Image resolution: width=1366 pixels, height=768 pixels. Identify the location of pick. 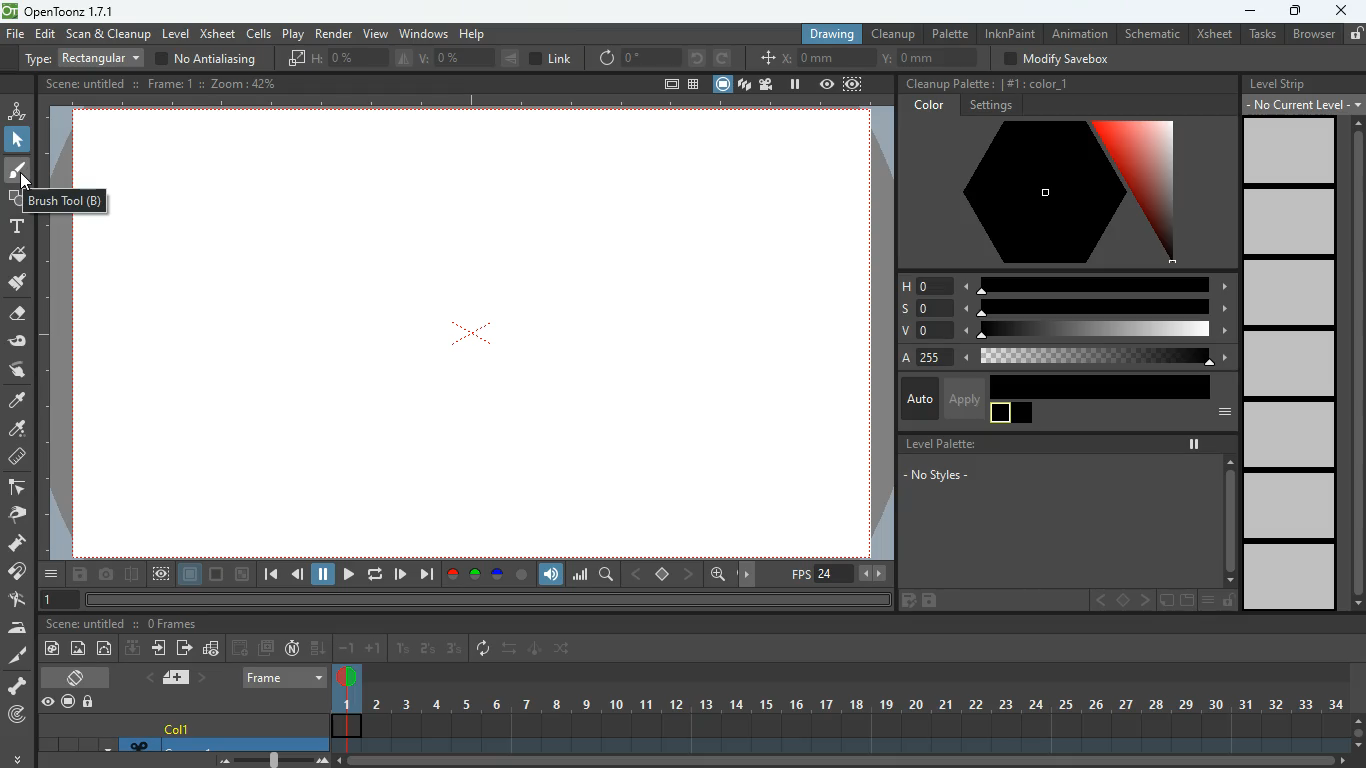
(15, 515).